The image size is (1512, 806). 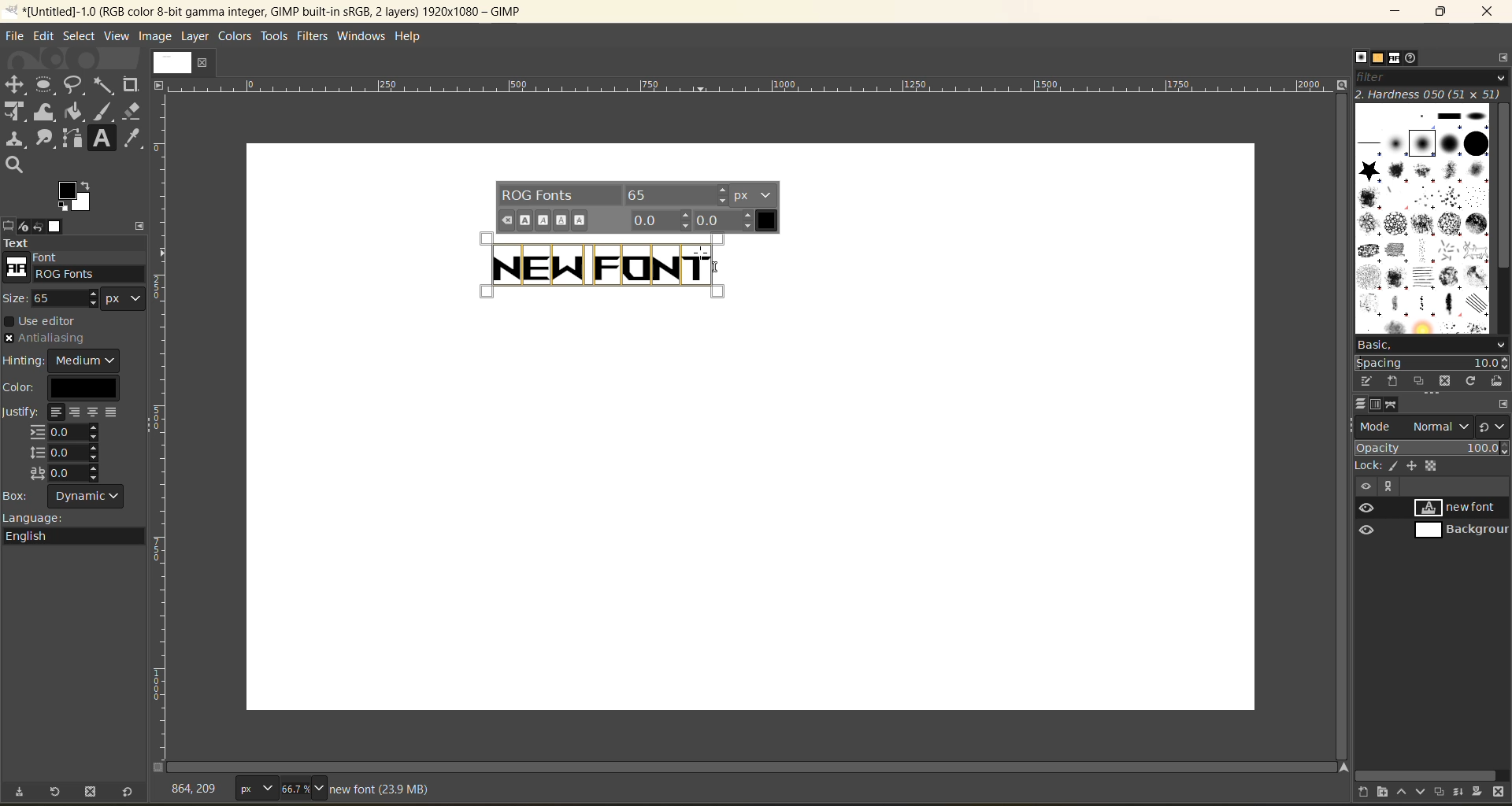 I want to click on scale, so click(x=748, y=86).